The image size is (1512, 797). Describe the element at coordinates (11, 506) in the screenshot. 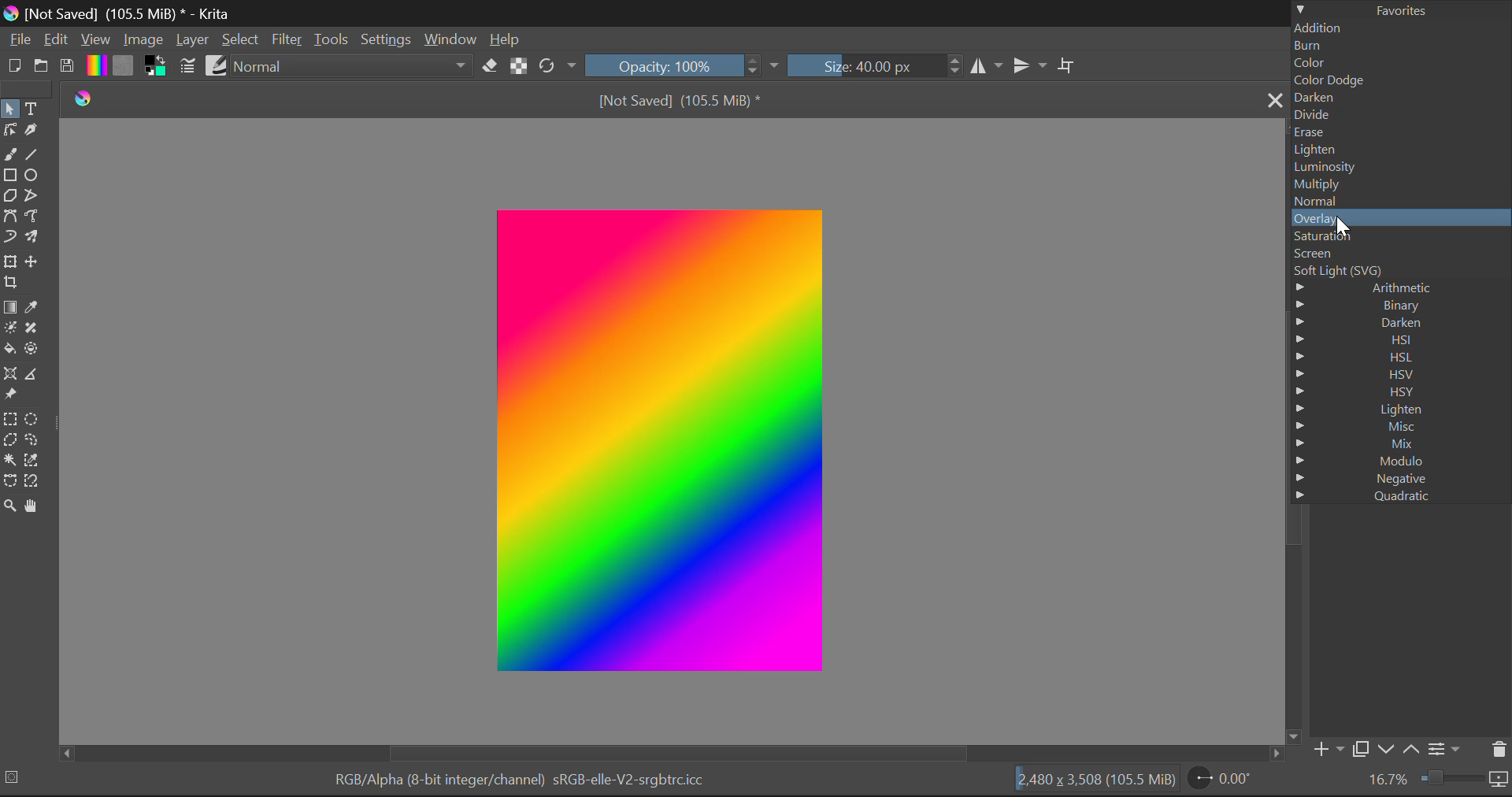

I see `Zoom` at that location.